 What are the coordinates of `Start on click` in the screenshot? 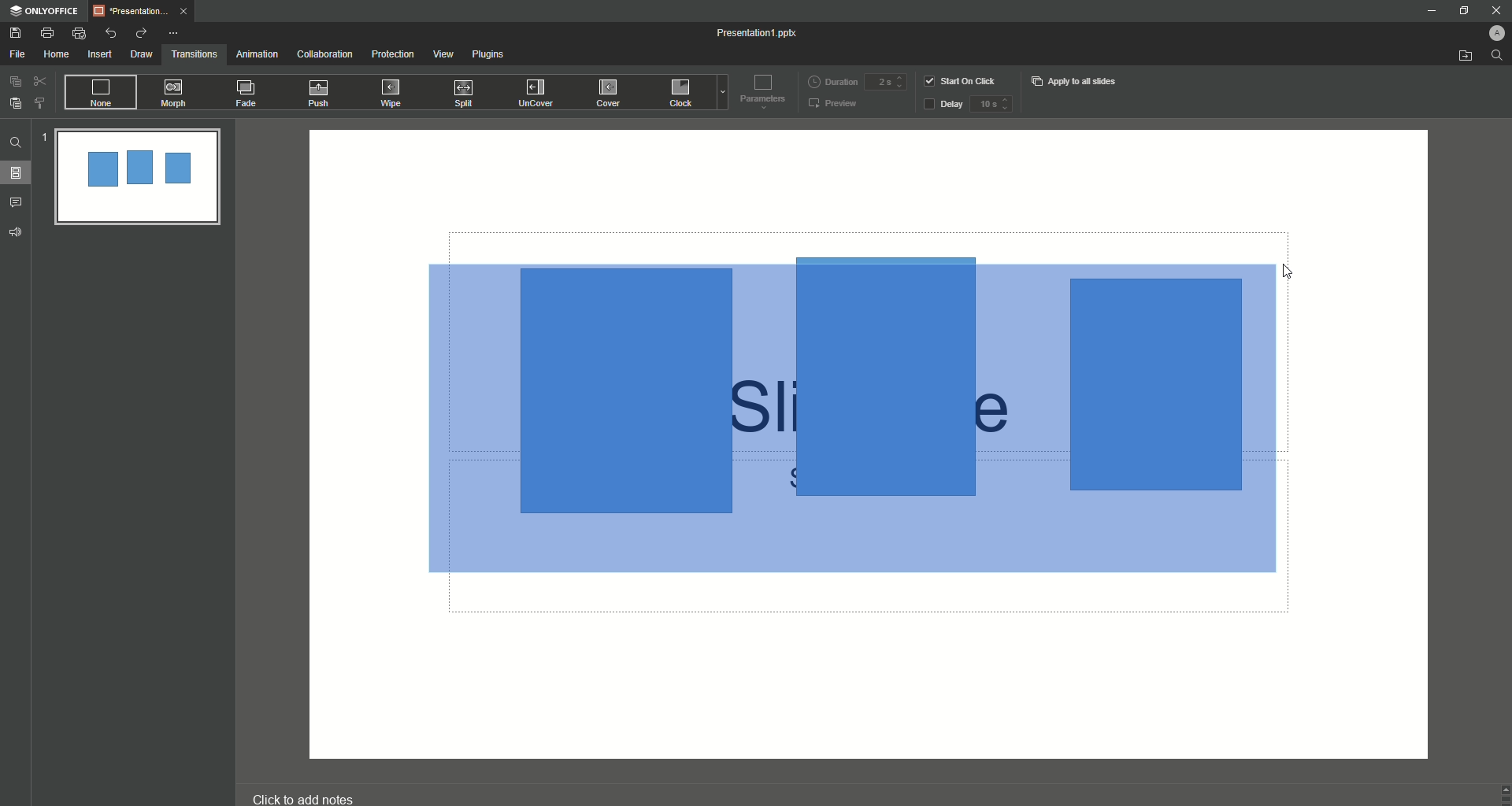 It's located at (962, 80).